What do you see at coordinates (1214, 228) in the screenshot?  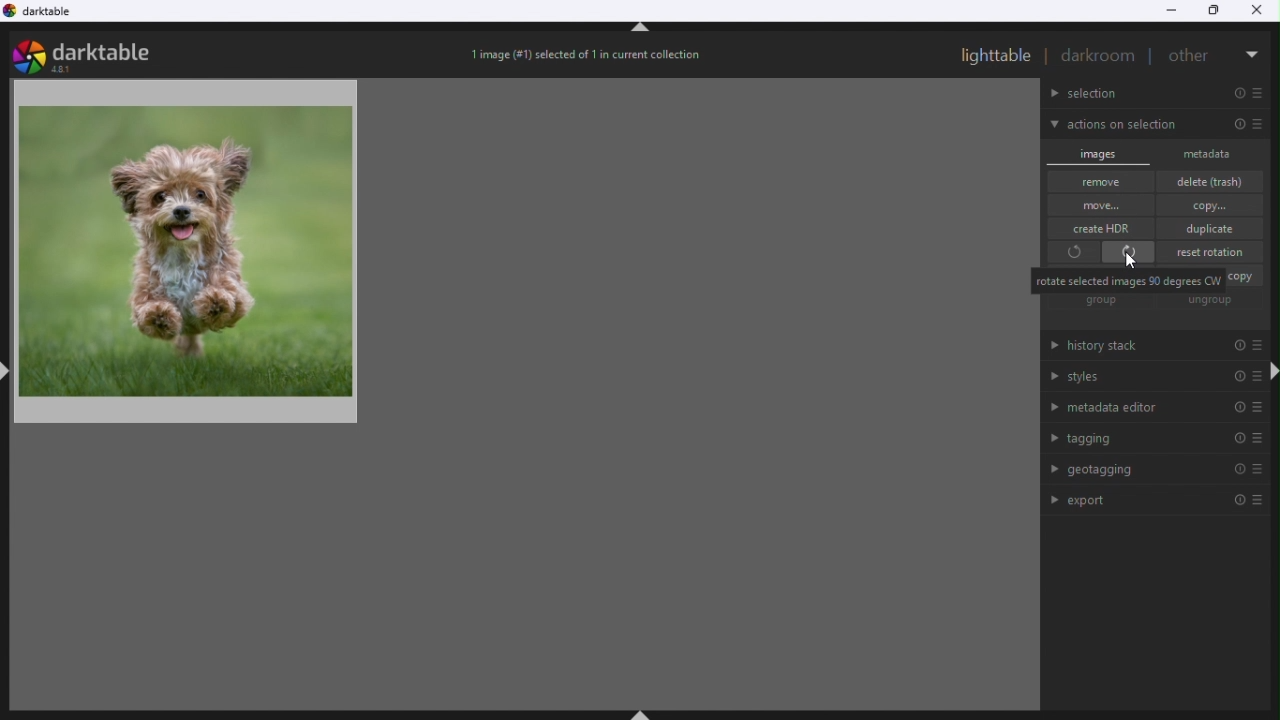 I see `Duplicate` at bounding box center [1214, 228].